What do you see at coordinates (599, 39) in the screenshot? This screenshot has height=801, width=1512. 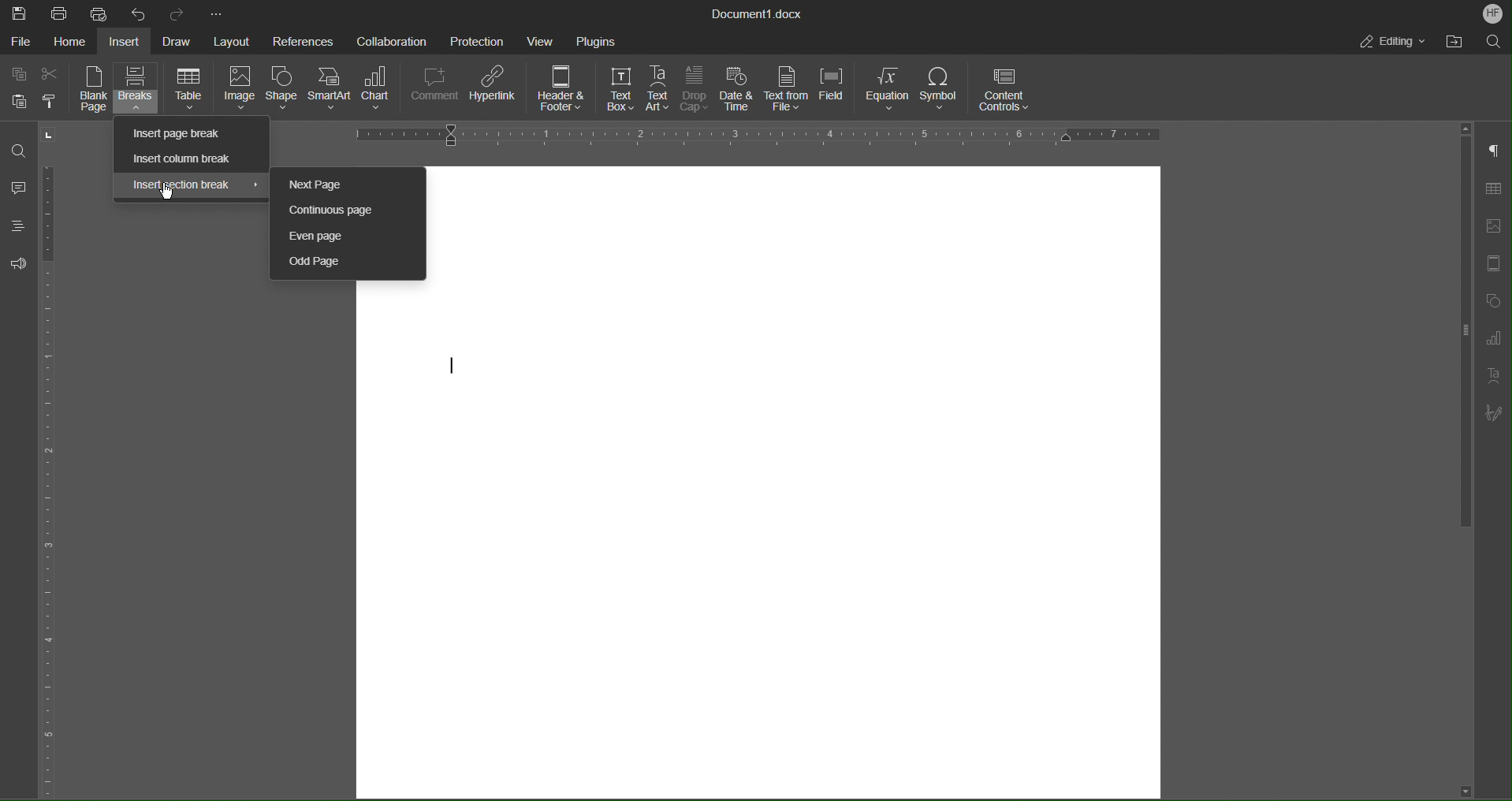 I see `Plugins` at bounding box center [599, 39].